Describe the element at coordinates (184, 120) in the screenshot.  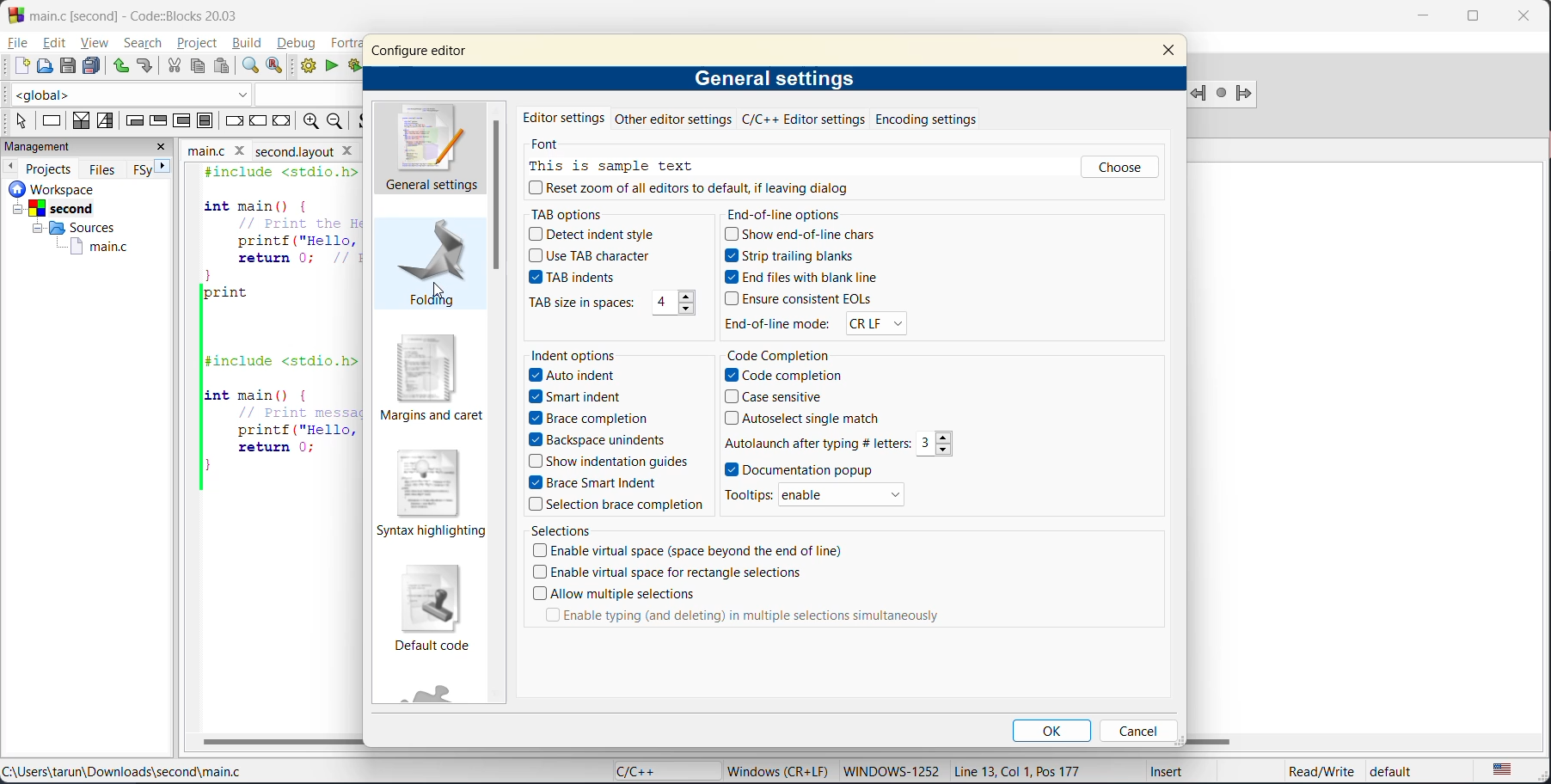
I see `counting loop` at that location.